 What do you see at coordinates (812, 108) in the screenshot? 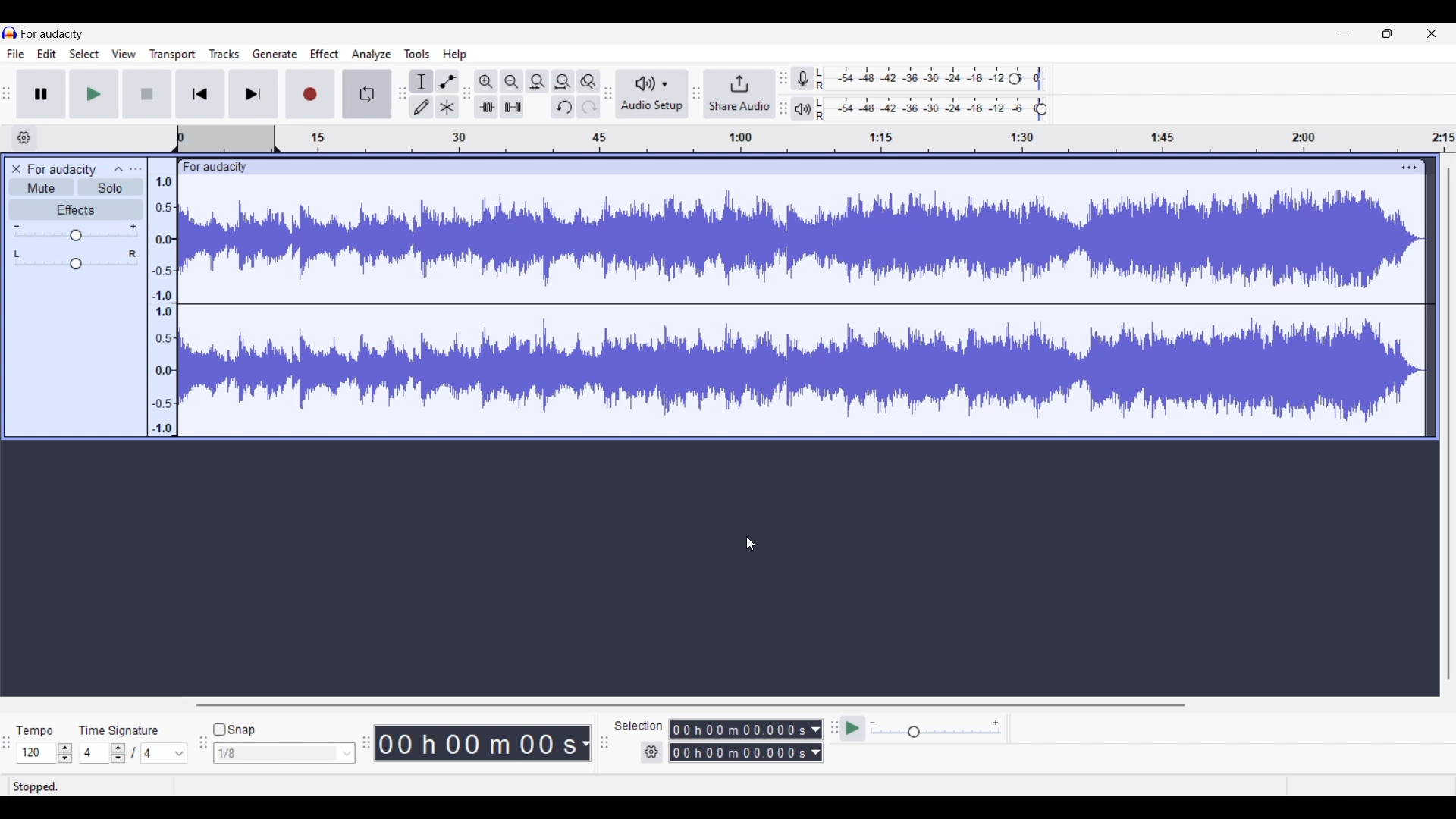
I see `Playback meter` at bounding box center [812, 108].